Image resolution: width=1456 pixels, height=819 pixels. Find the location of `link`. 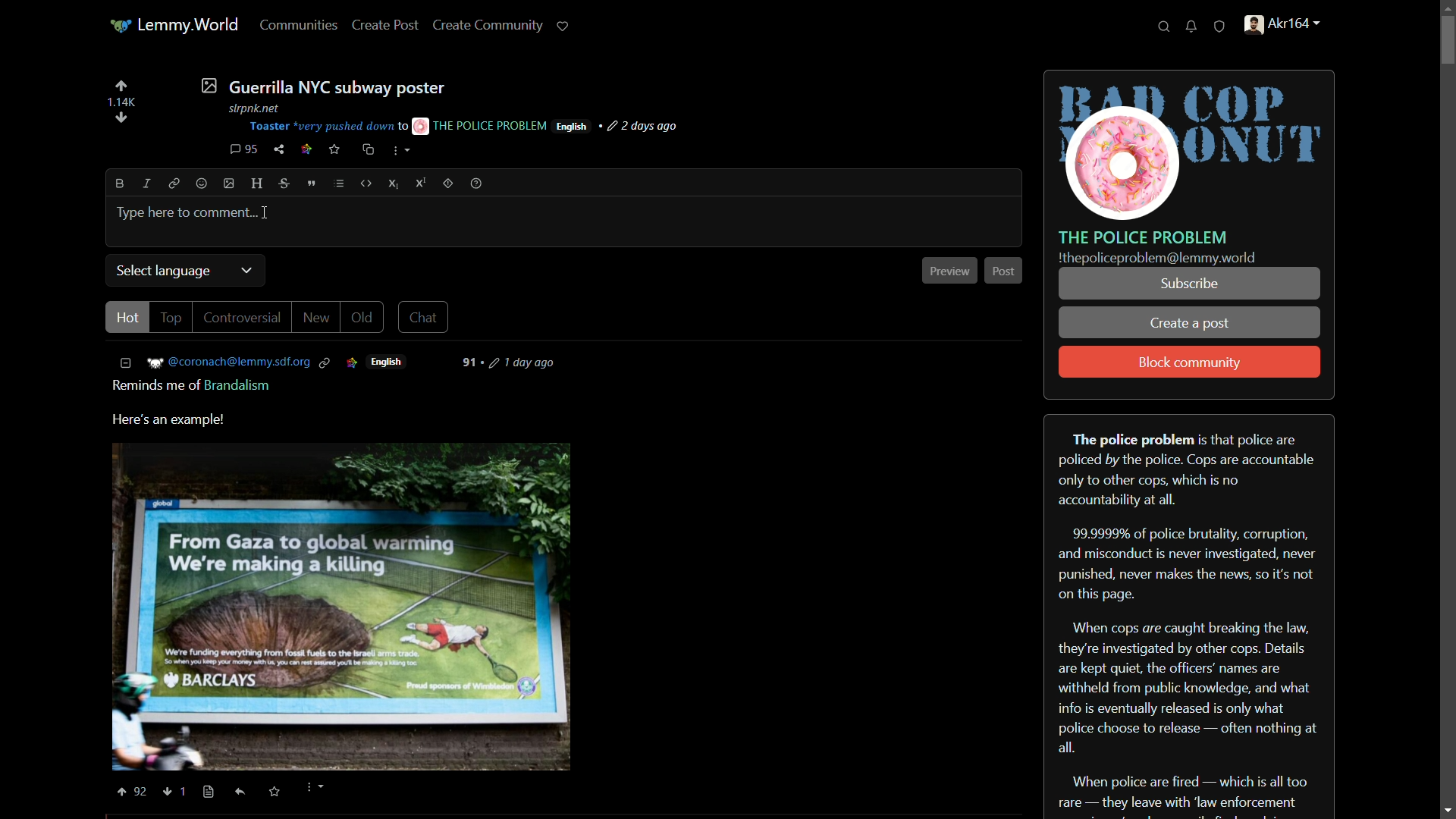

link is located at coordinates (328, 362).